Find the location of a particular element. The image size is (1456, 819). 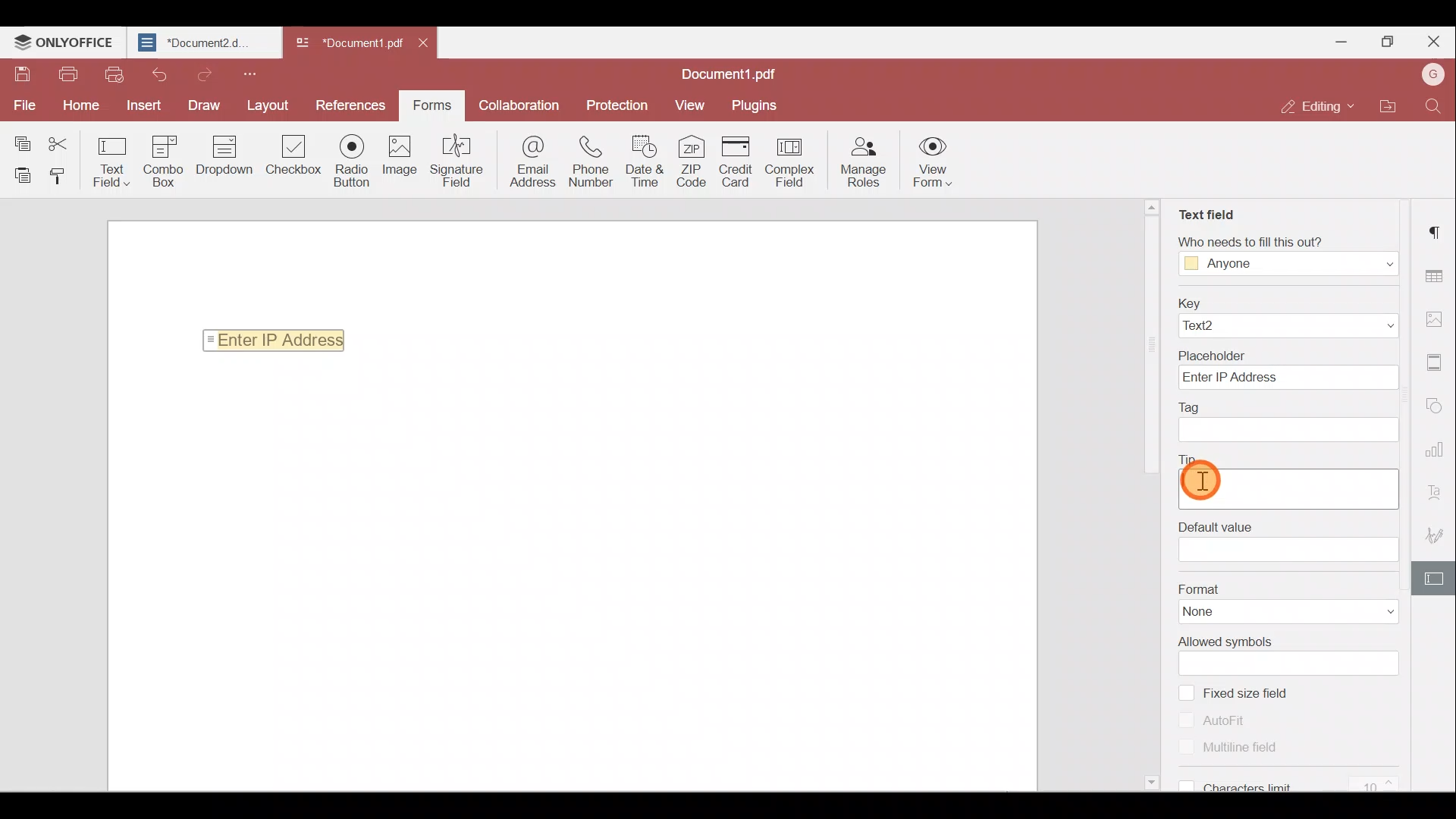

Editing mode is located at coordinates (1310, 108).